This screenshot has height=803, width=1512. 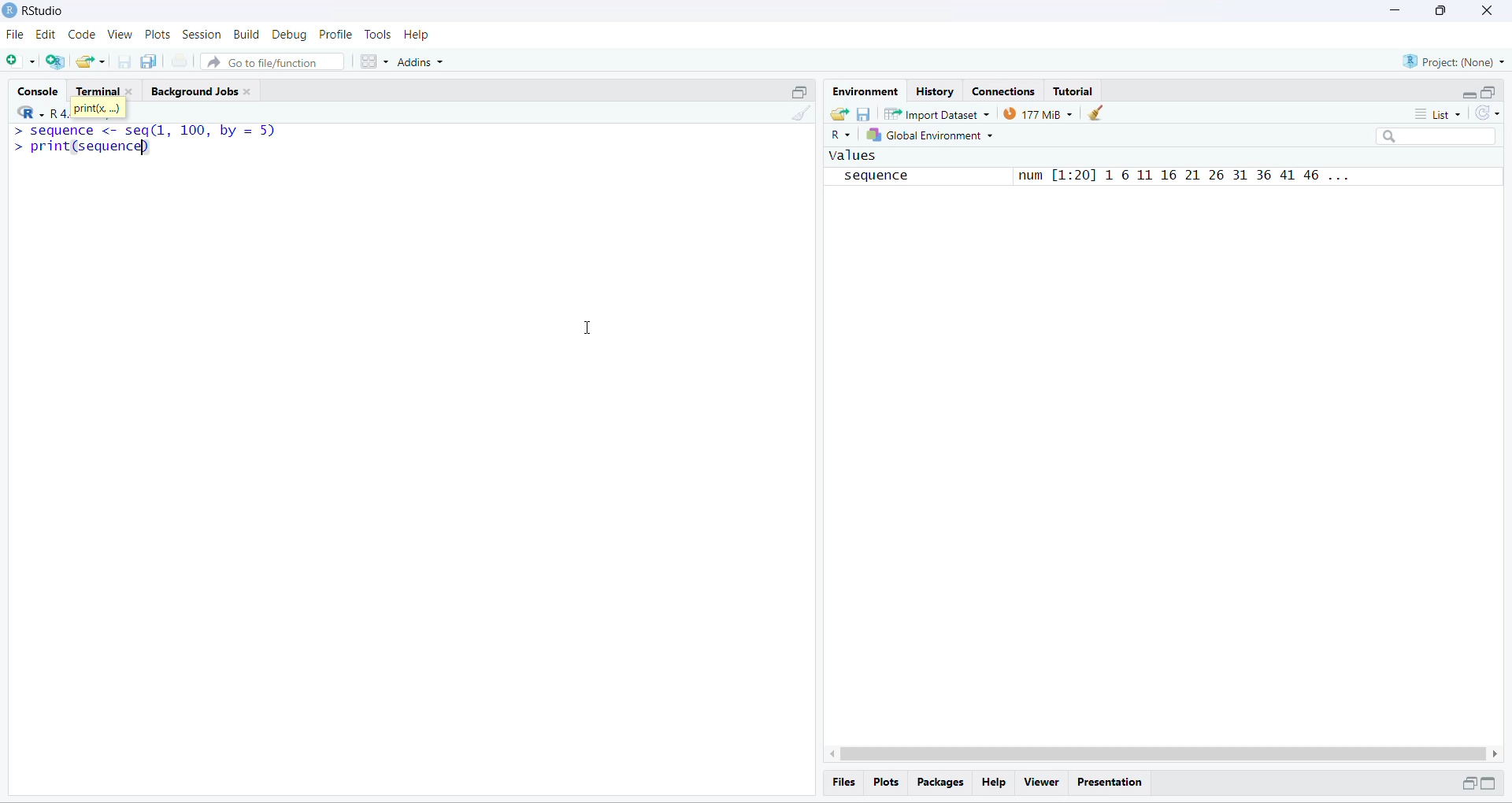 What do you see at coordinates (1396, 9) in the screenshot?
I see `minimise` at bounding box center [1396, 9].